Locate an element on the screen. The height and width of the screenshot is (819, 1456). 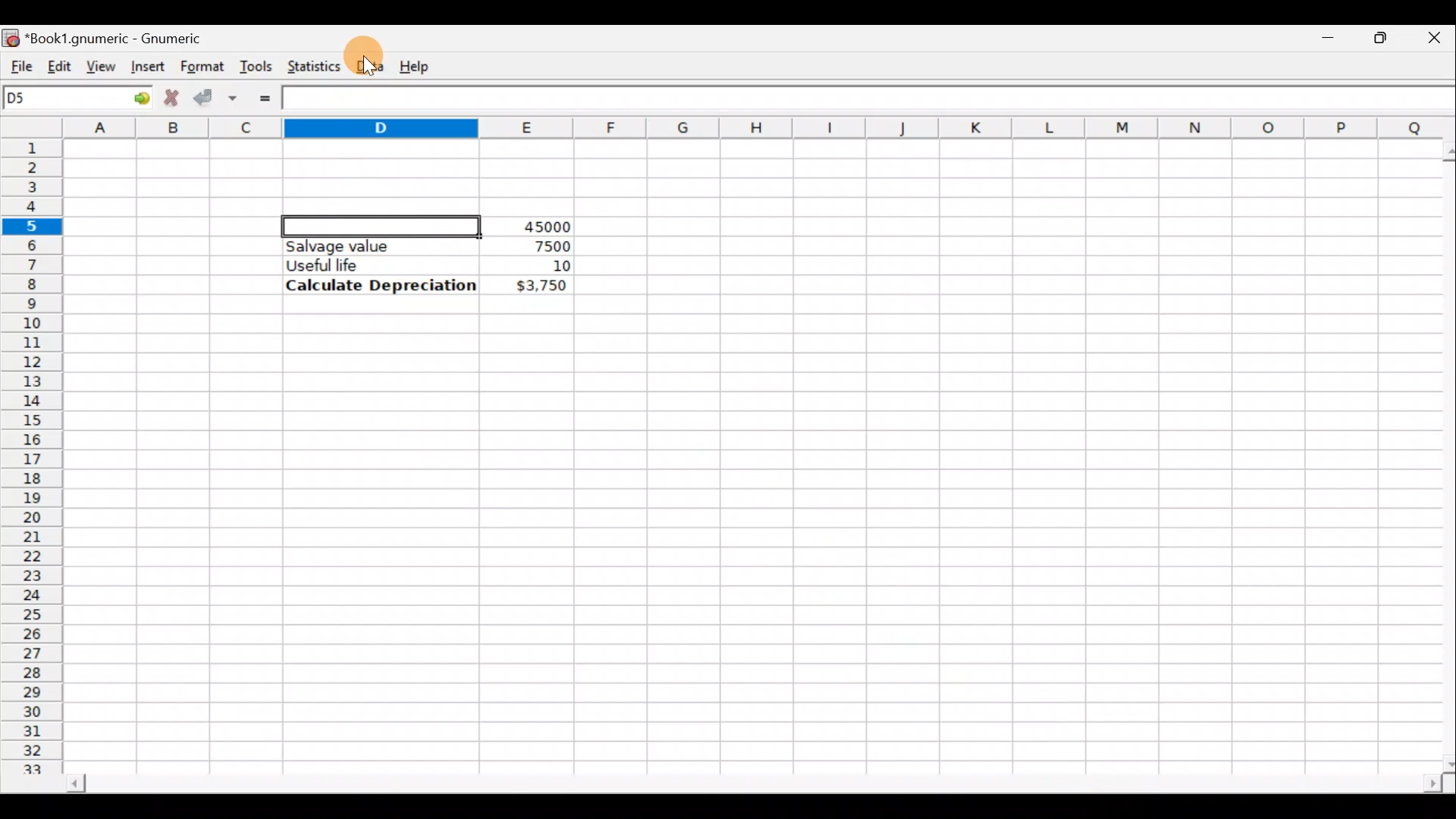
45000 is located at coordinates (541, 227).